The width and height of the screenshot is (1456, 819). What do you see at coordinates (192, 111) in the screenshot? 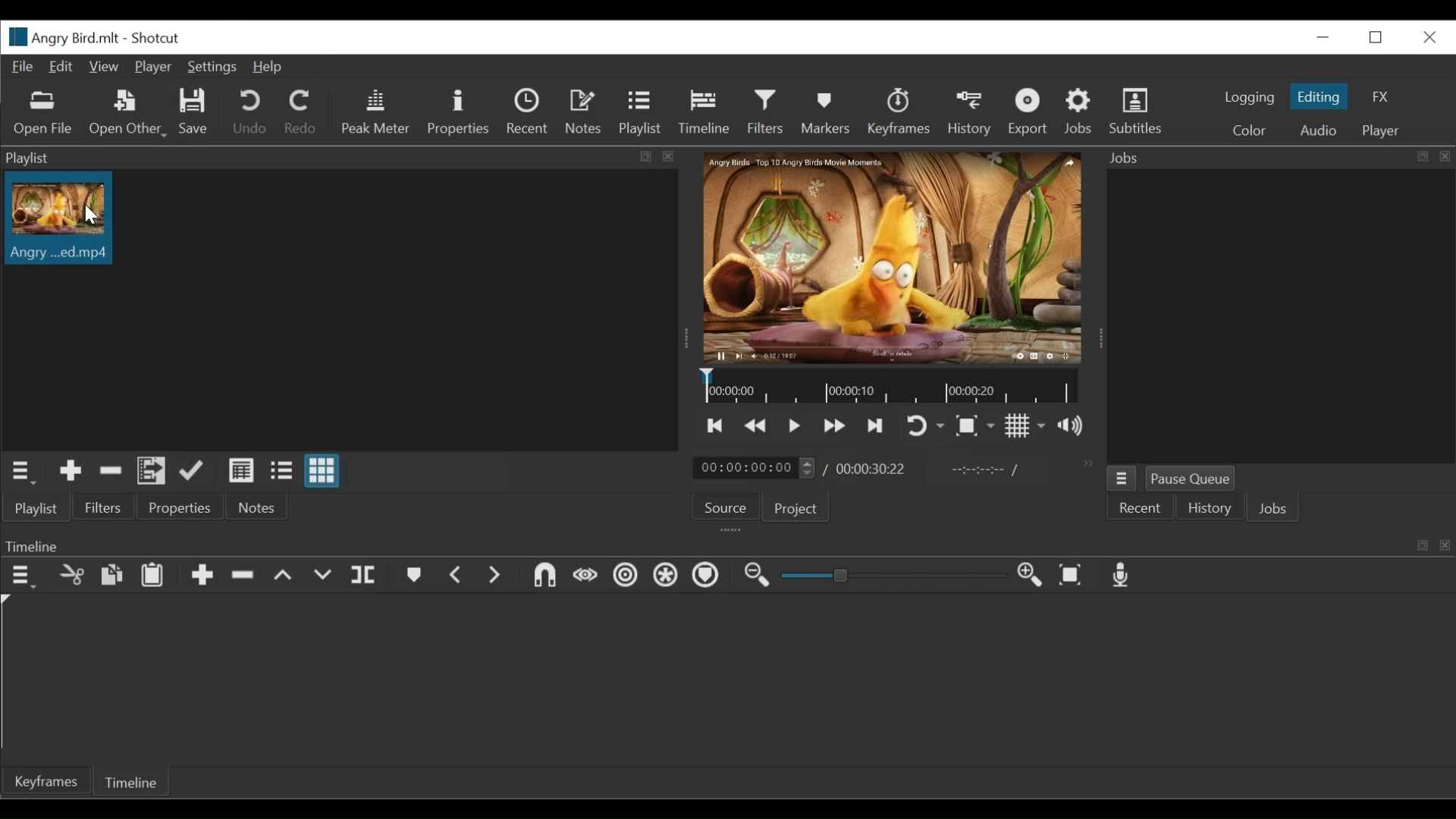
I see `Save` at bounding box center [192, 111].